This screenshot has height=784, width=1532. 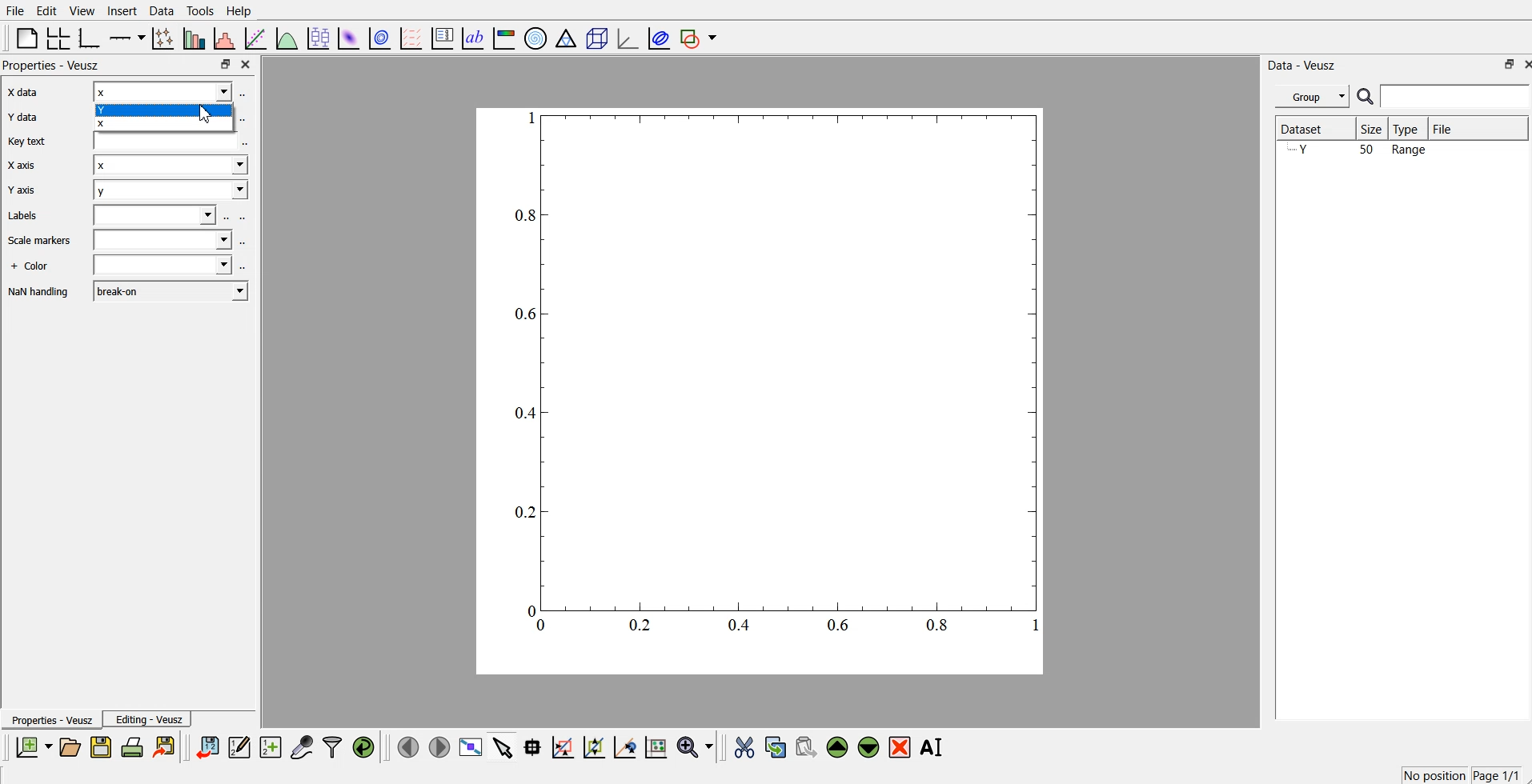 I want to click on copy the selected widgets, so click(x=776, y=748).